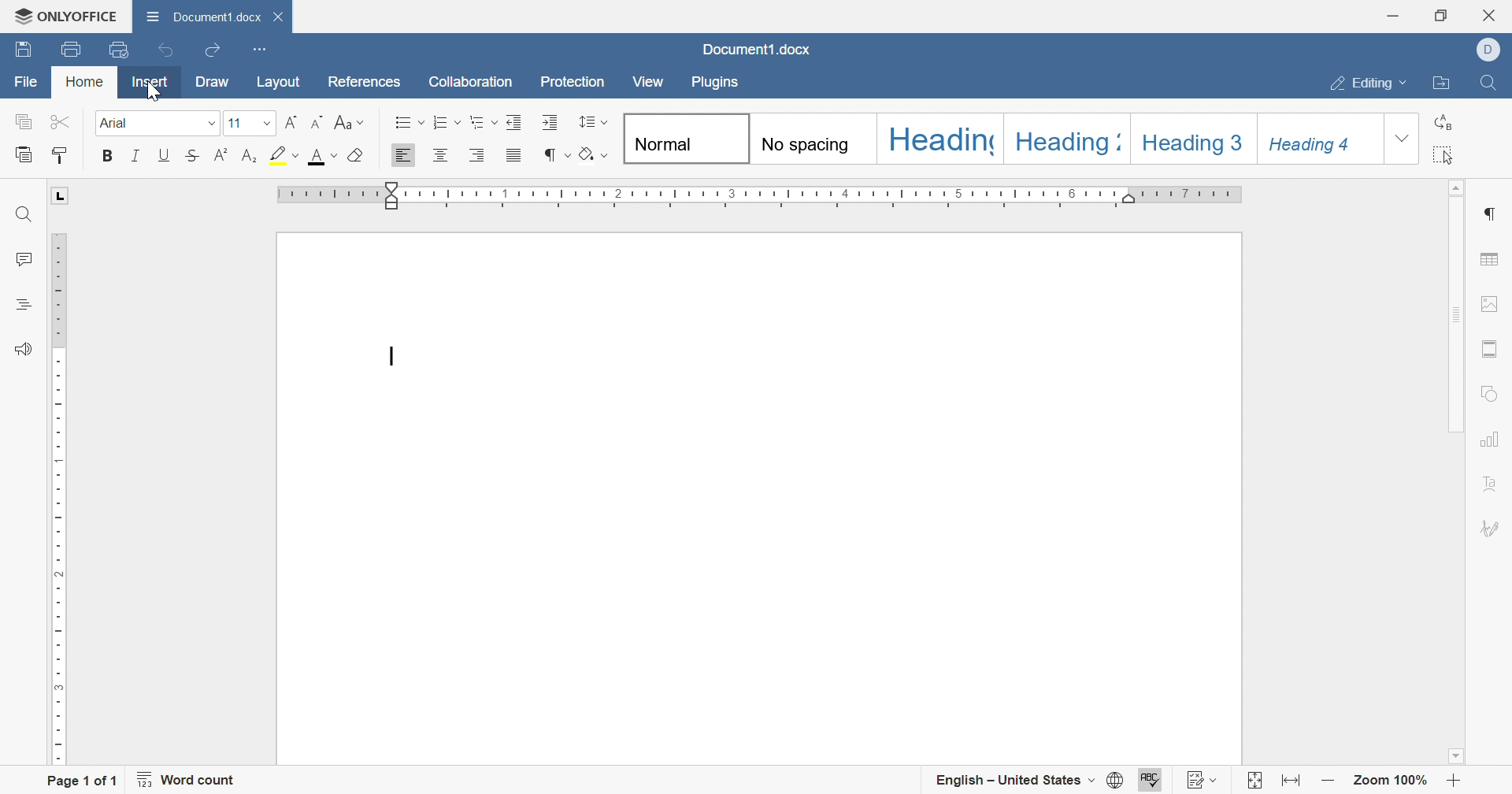 The height and width of the screenshot is (794, 1512). Describe the element at coordinates (1400, 142) in the screenshot. I see `Drop down` at that location.